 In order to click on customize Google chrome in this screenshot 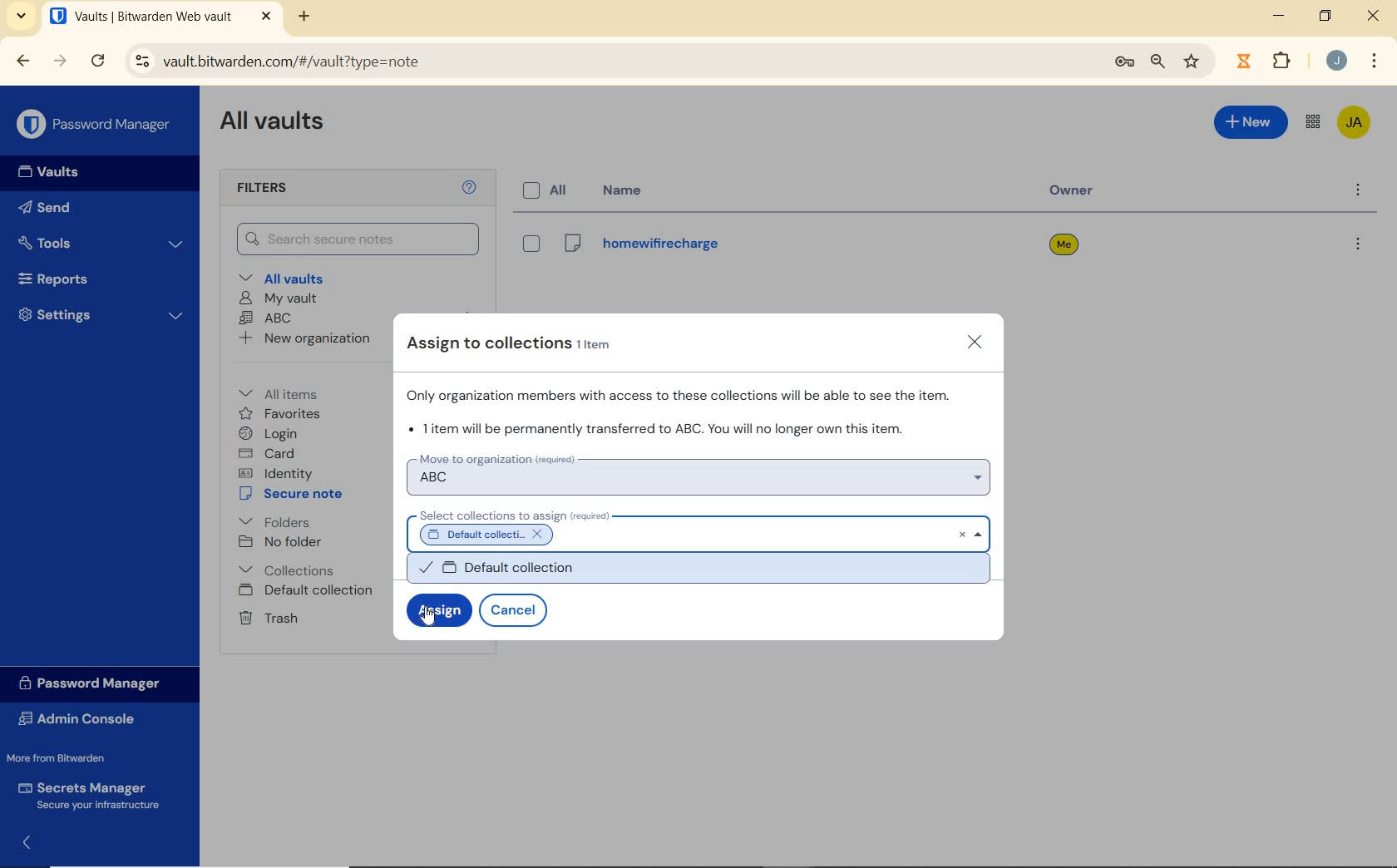, I will do `click(1375, 60)`.